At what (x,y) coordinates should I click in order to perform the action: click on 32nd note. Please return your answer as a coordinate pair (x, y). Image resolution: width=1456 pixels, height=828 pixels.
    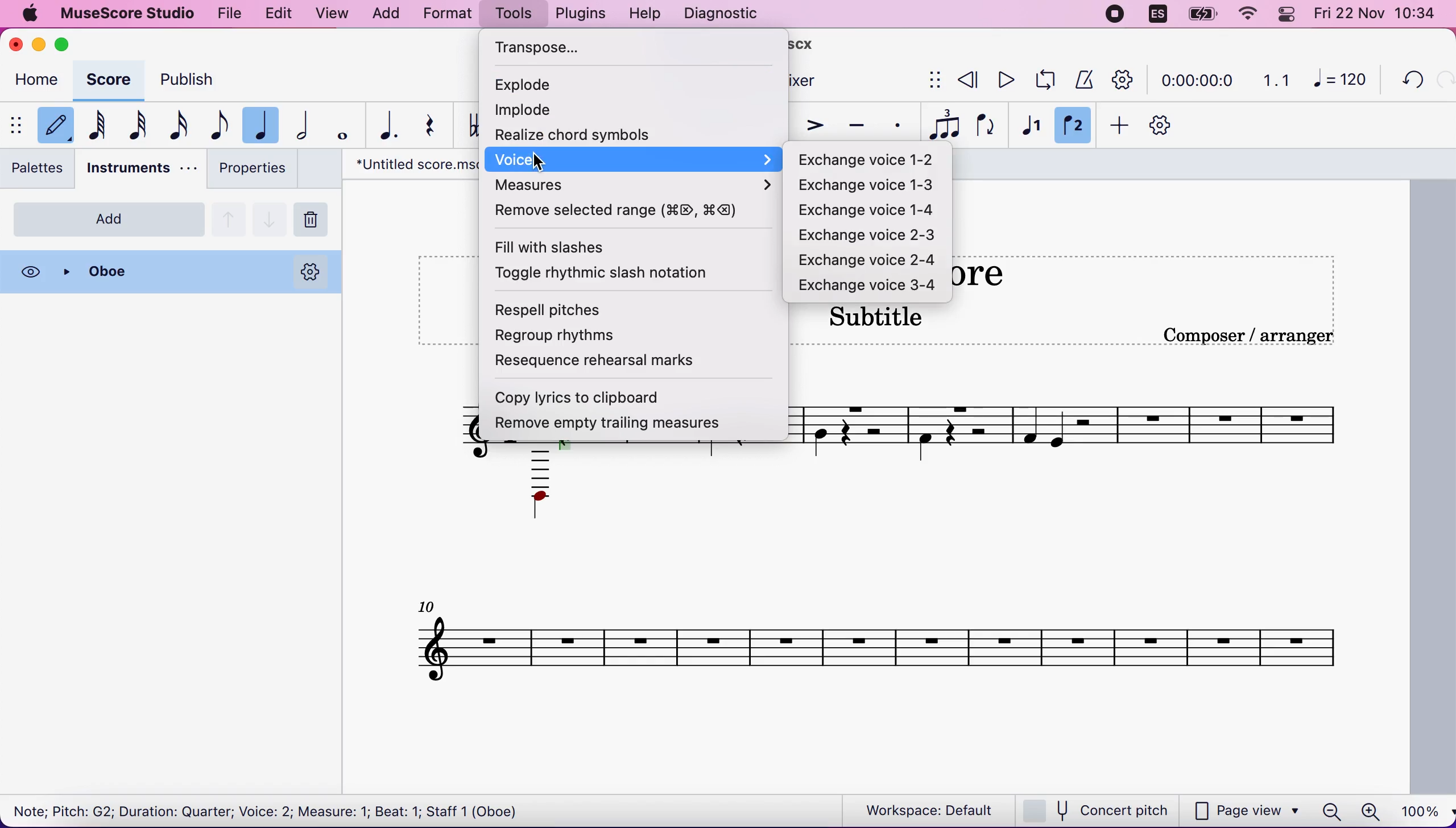
    Looking at the image, I should click on (144, 126).